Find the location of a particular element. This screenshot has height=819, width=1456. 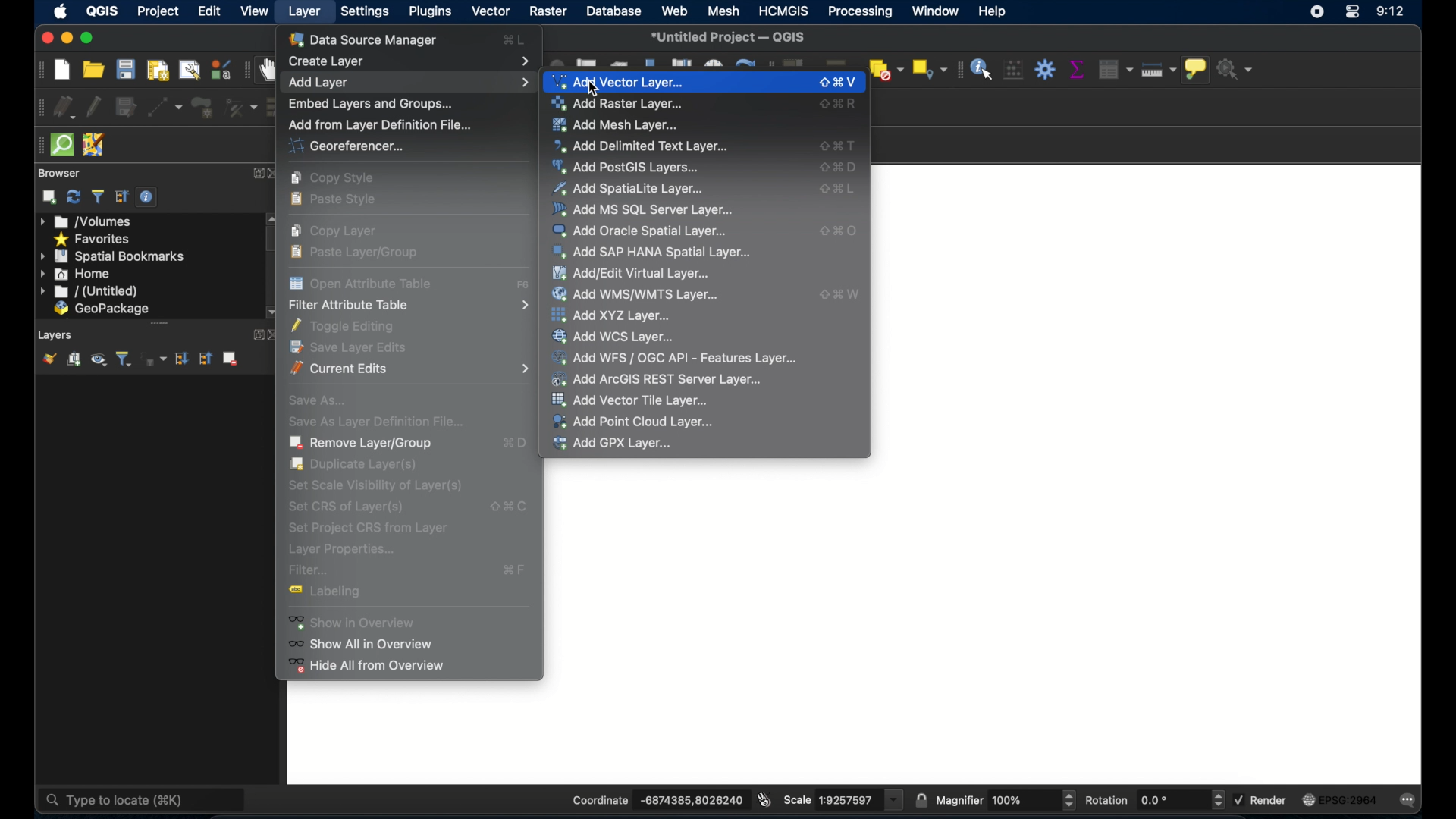

toggle editing is located at coordinates (93, 105).